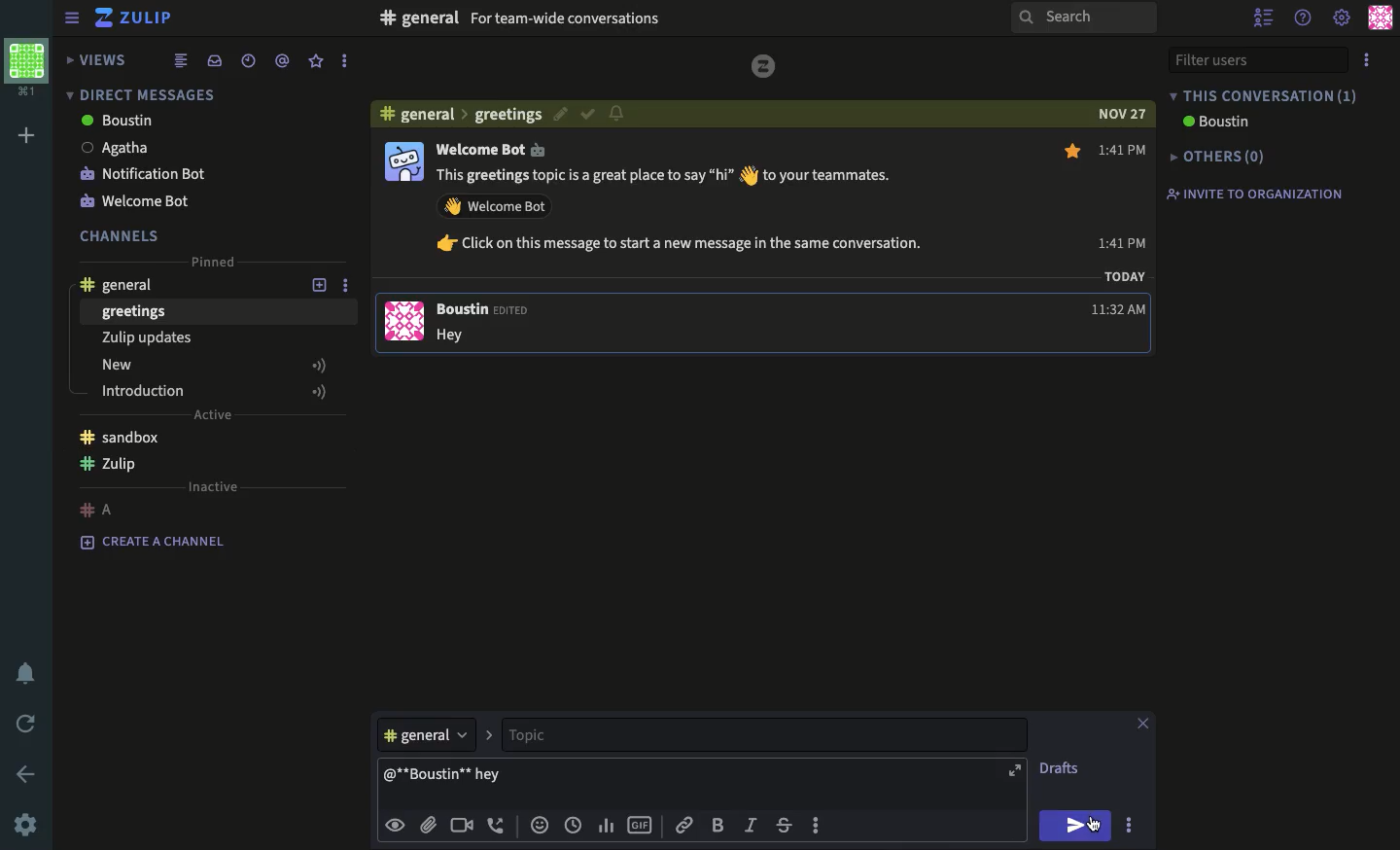  Describe the element at coordinates (1264, 95) in the screenshot. I see `this conversation (1)` at that location.